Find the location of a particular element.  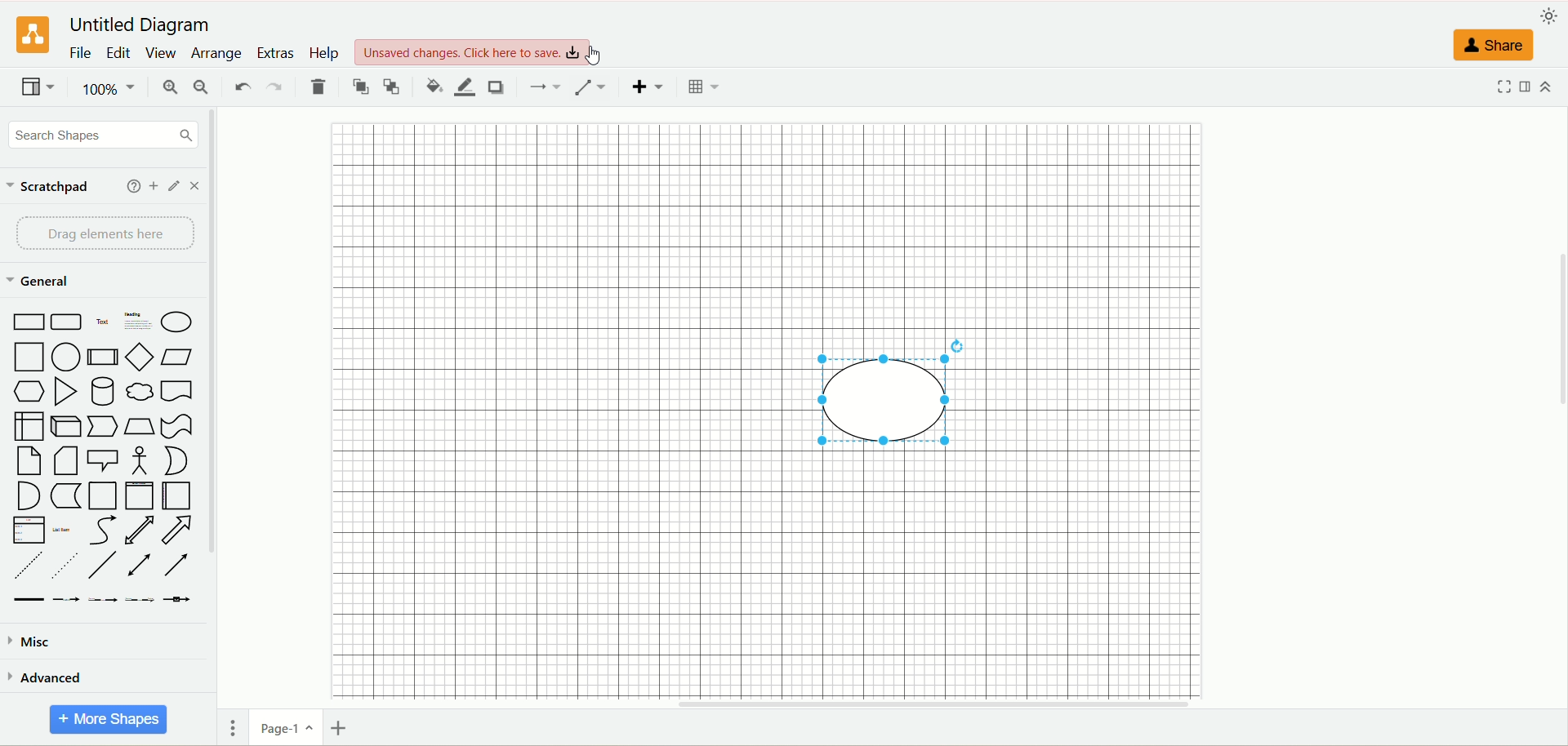

list items is located at coordinates (65, 531).